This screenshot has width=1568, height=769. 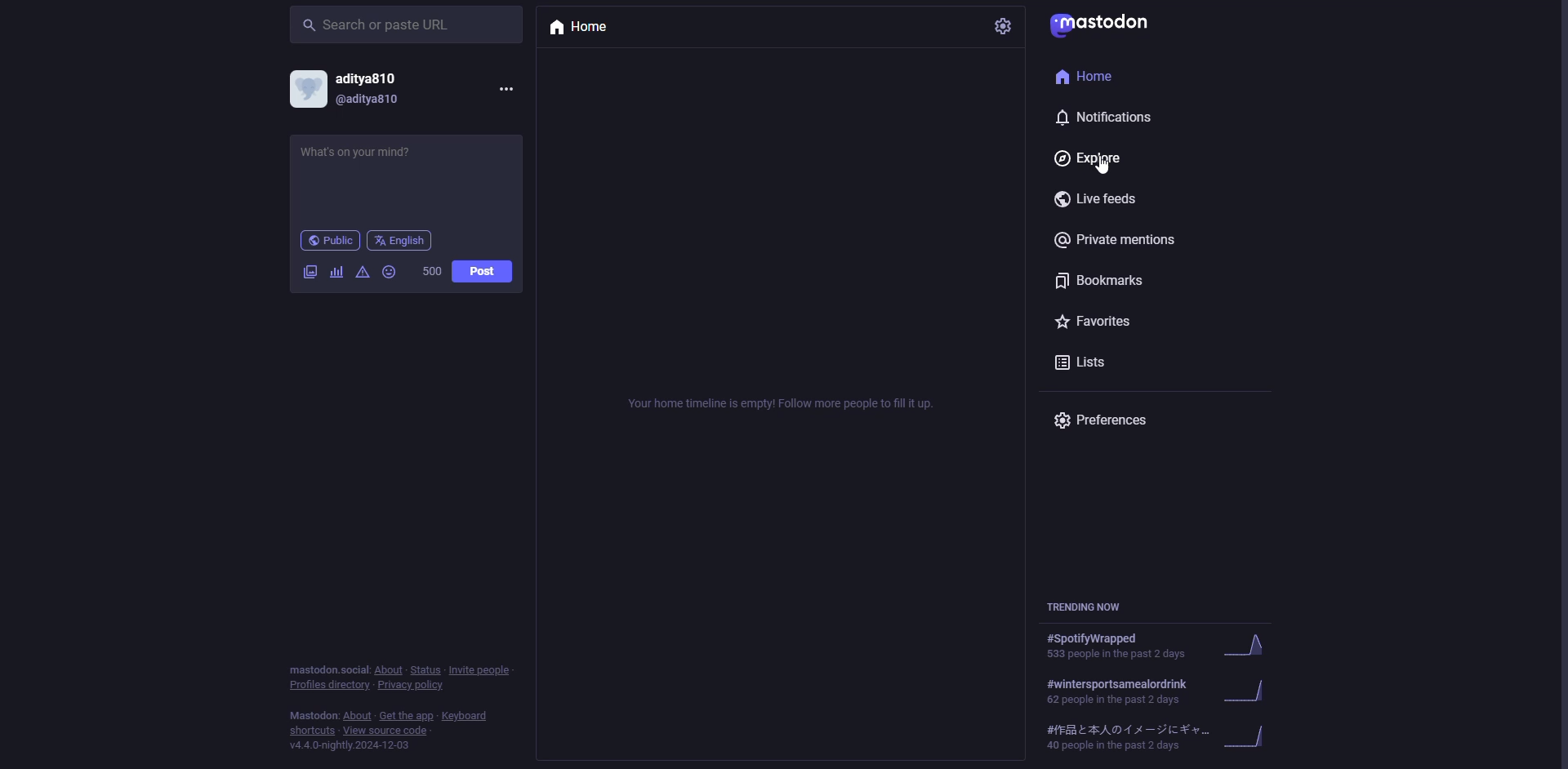 What do you see at coordinates (1102, 279) in the screenshot?
I see `bookmarks` at bounding box center [1102, 279].